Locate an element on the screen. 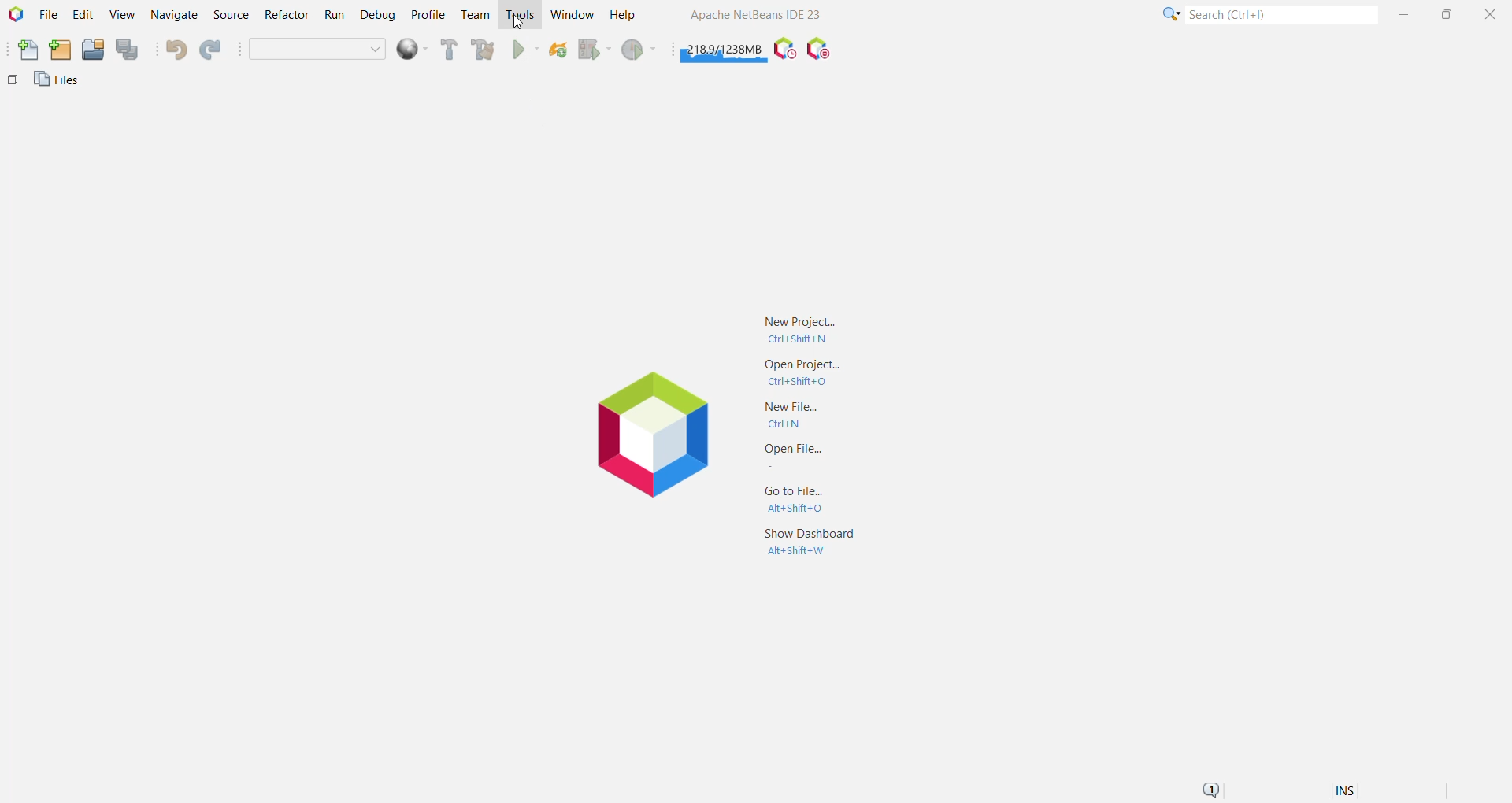  Navigate is located at coordinates (175, 16).